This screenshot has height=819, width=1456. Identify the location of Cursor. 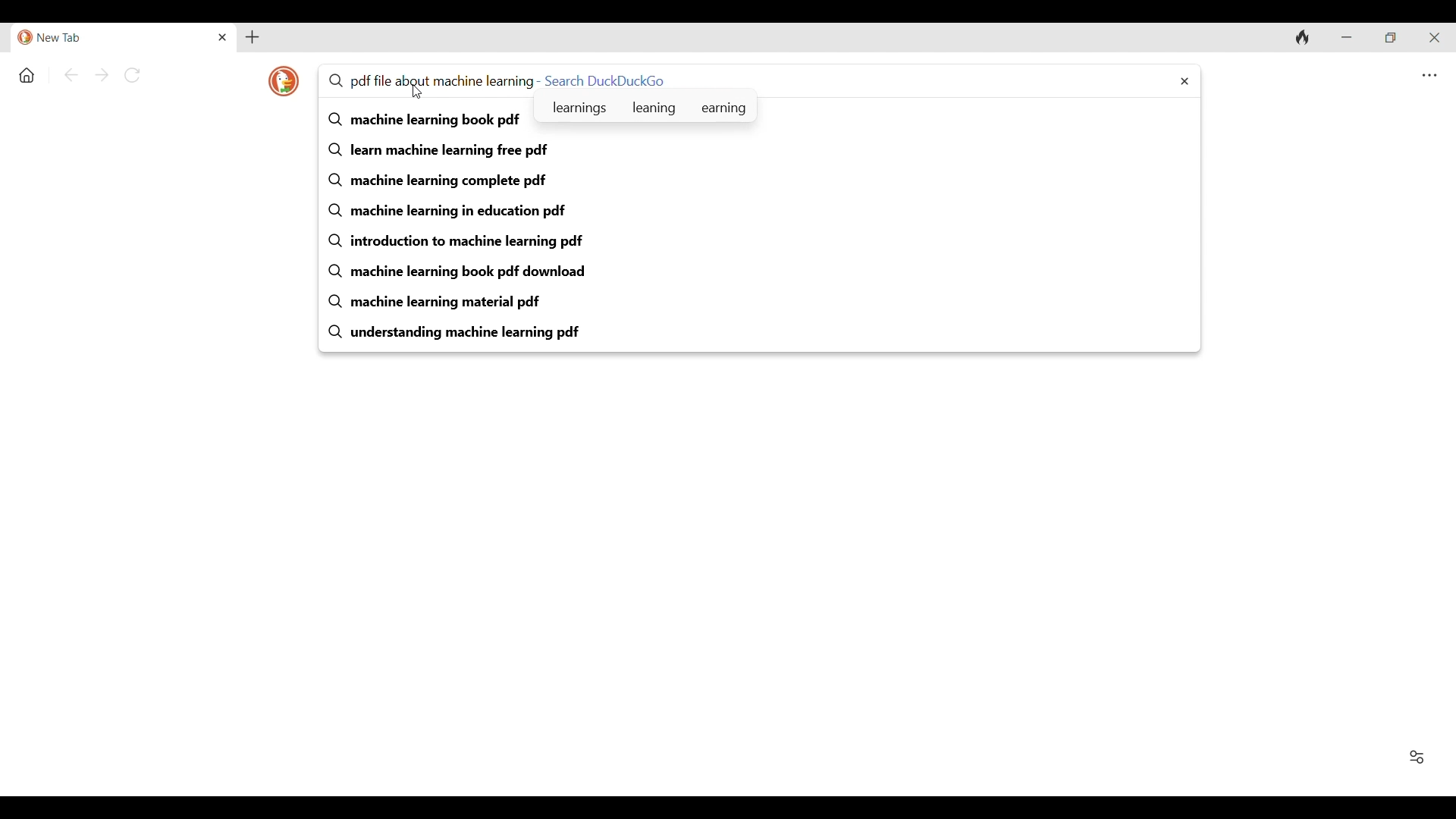
(416, 92).